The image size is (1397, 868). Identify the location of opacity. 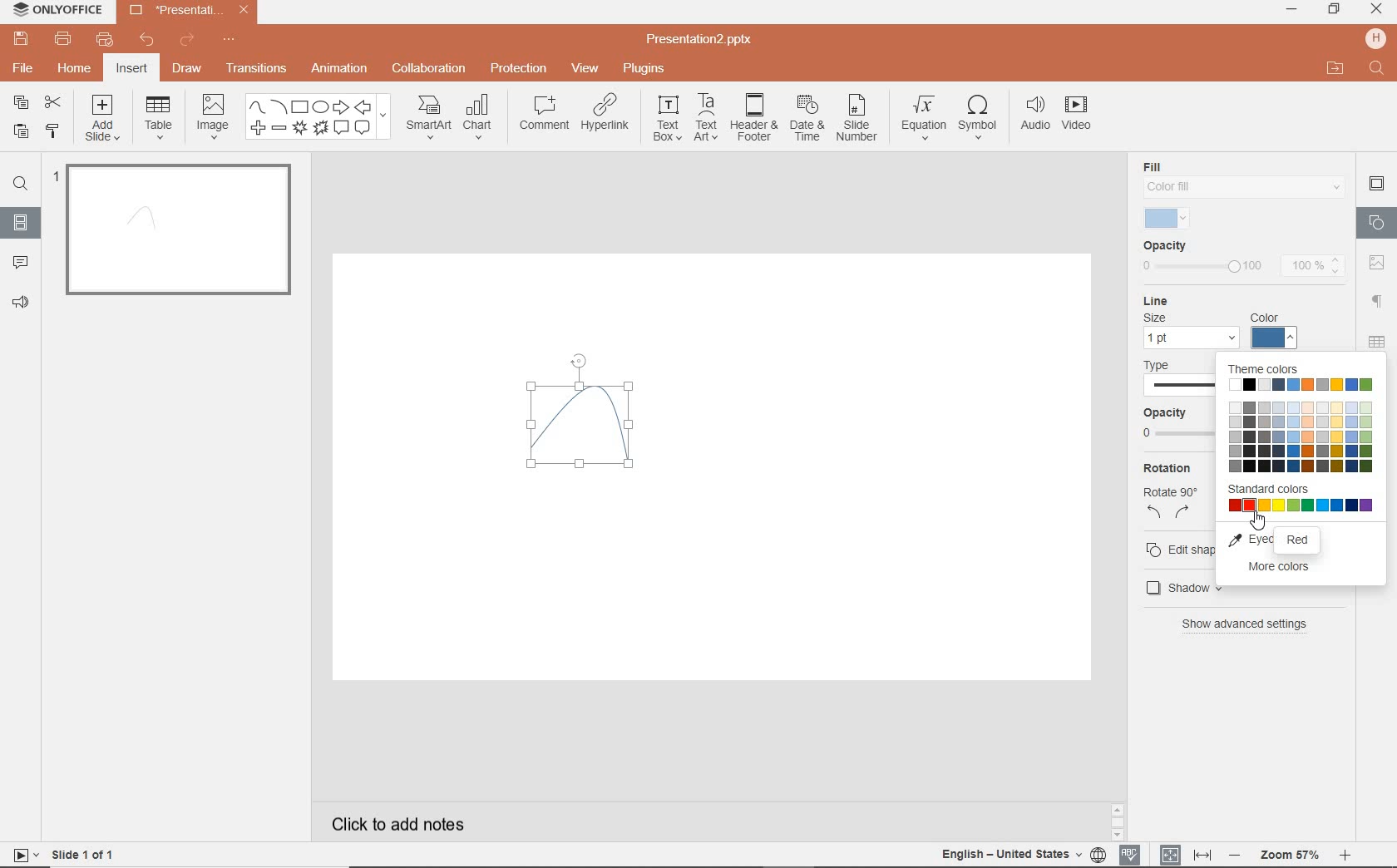
(1178, 428).